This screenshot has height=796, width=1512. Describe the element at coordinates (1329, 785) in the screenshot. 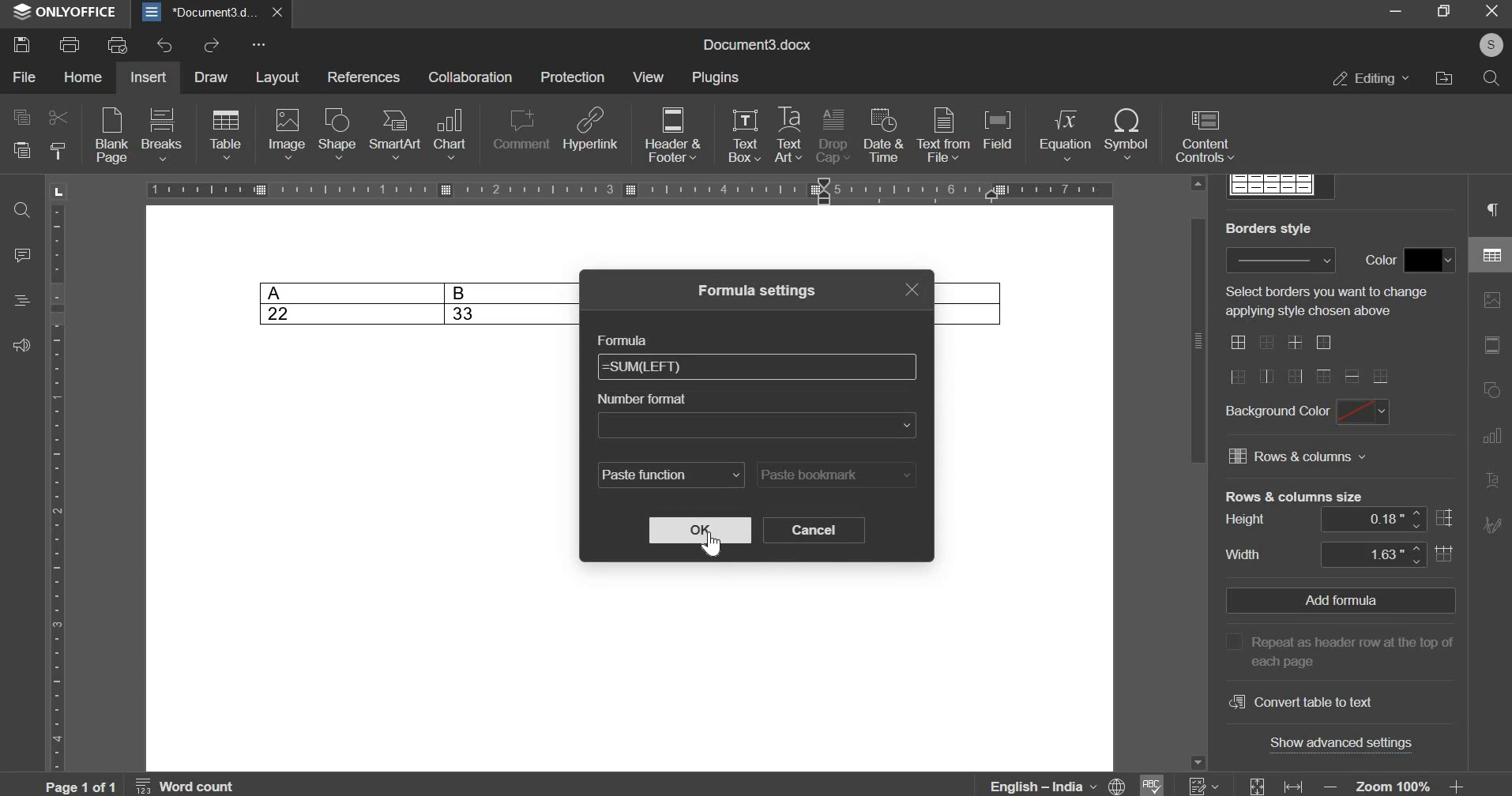

I see `decrease zoom` at that location.